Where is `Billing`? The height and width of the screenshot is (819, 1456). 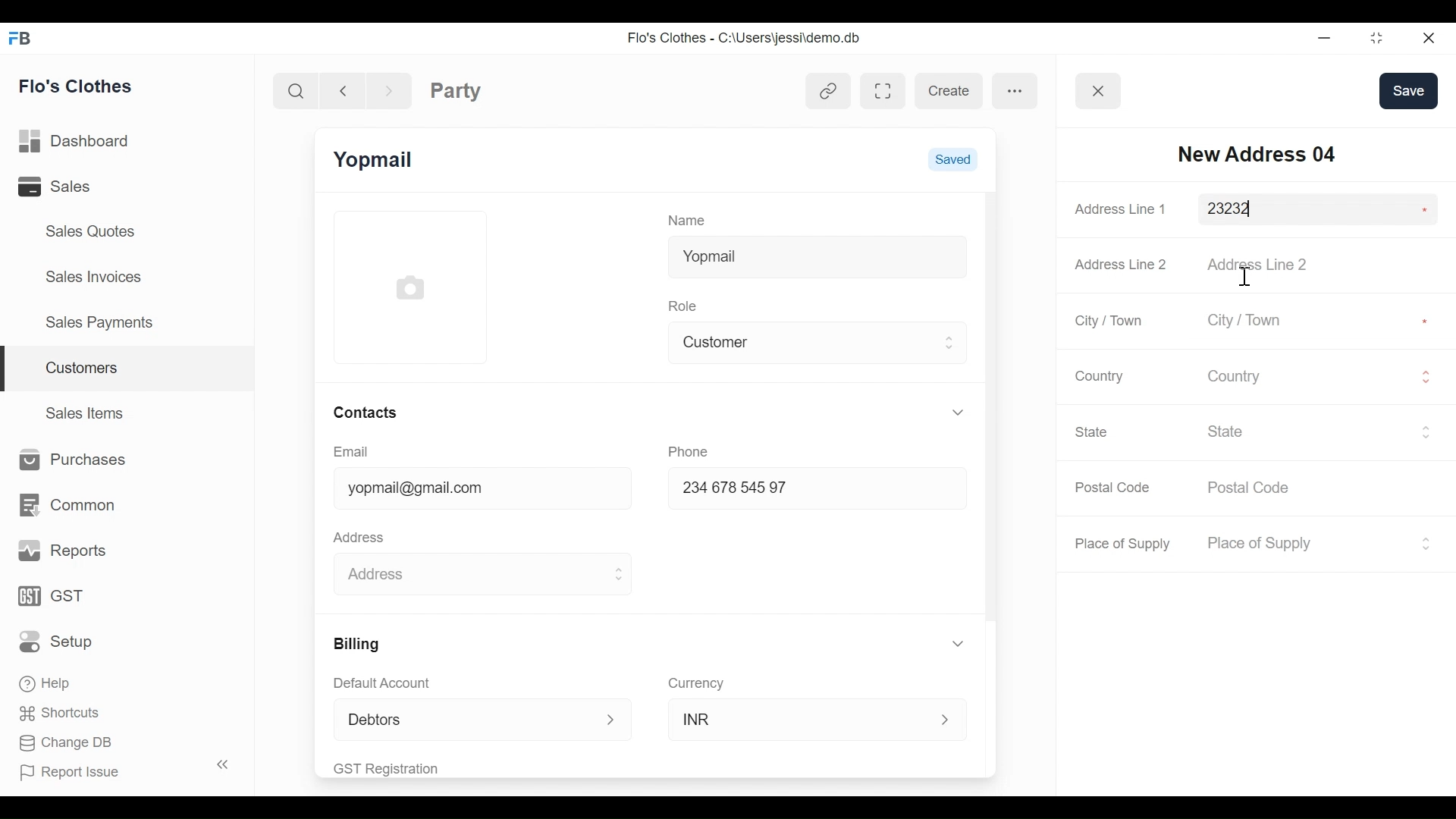
Billing is located at coordinates (355, 644).